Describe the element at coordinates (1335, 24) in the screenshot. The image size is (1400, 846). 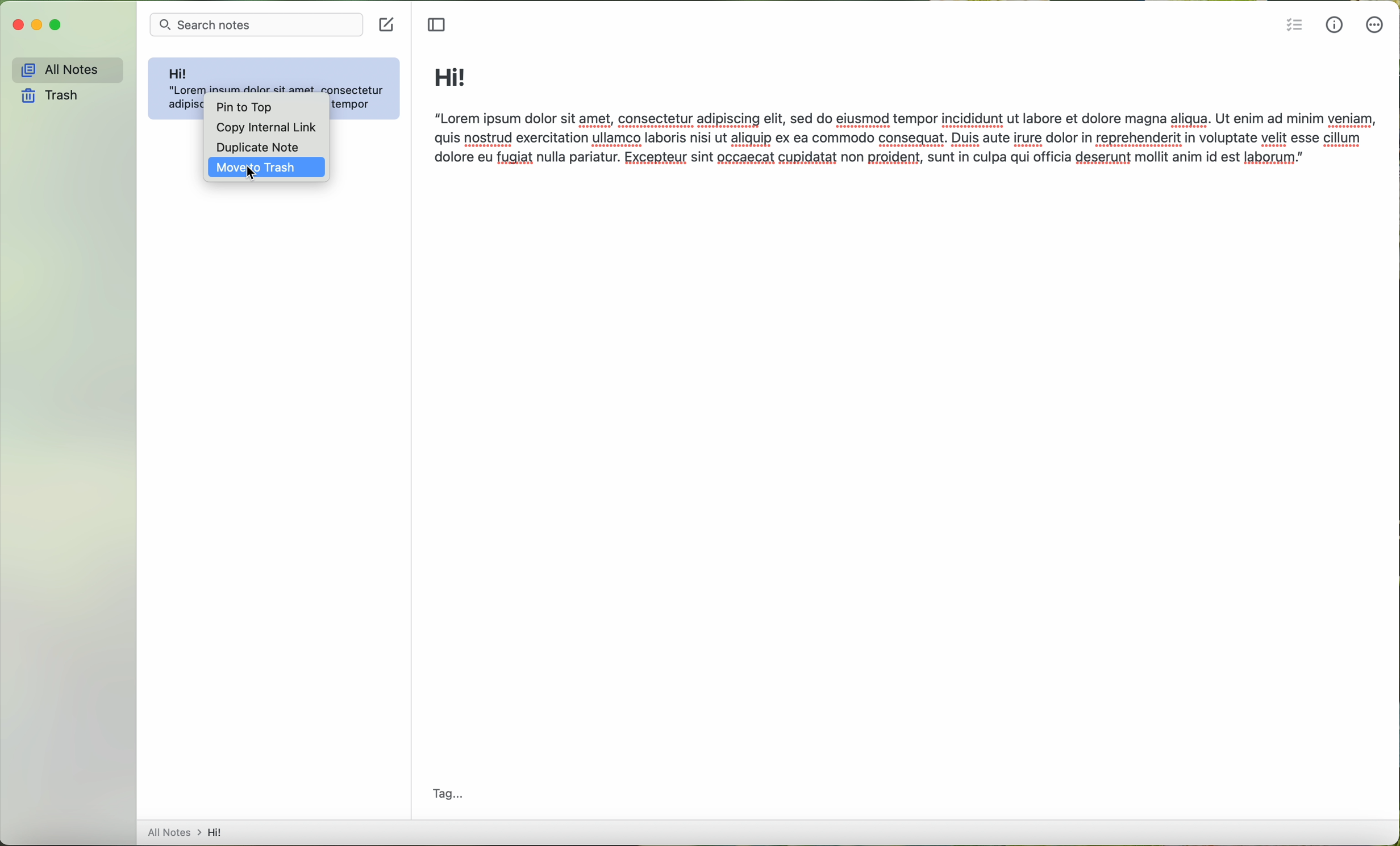
I see `metrics` at that location.